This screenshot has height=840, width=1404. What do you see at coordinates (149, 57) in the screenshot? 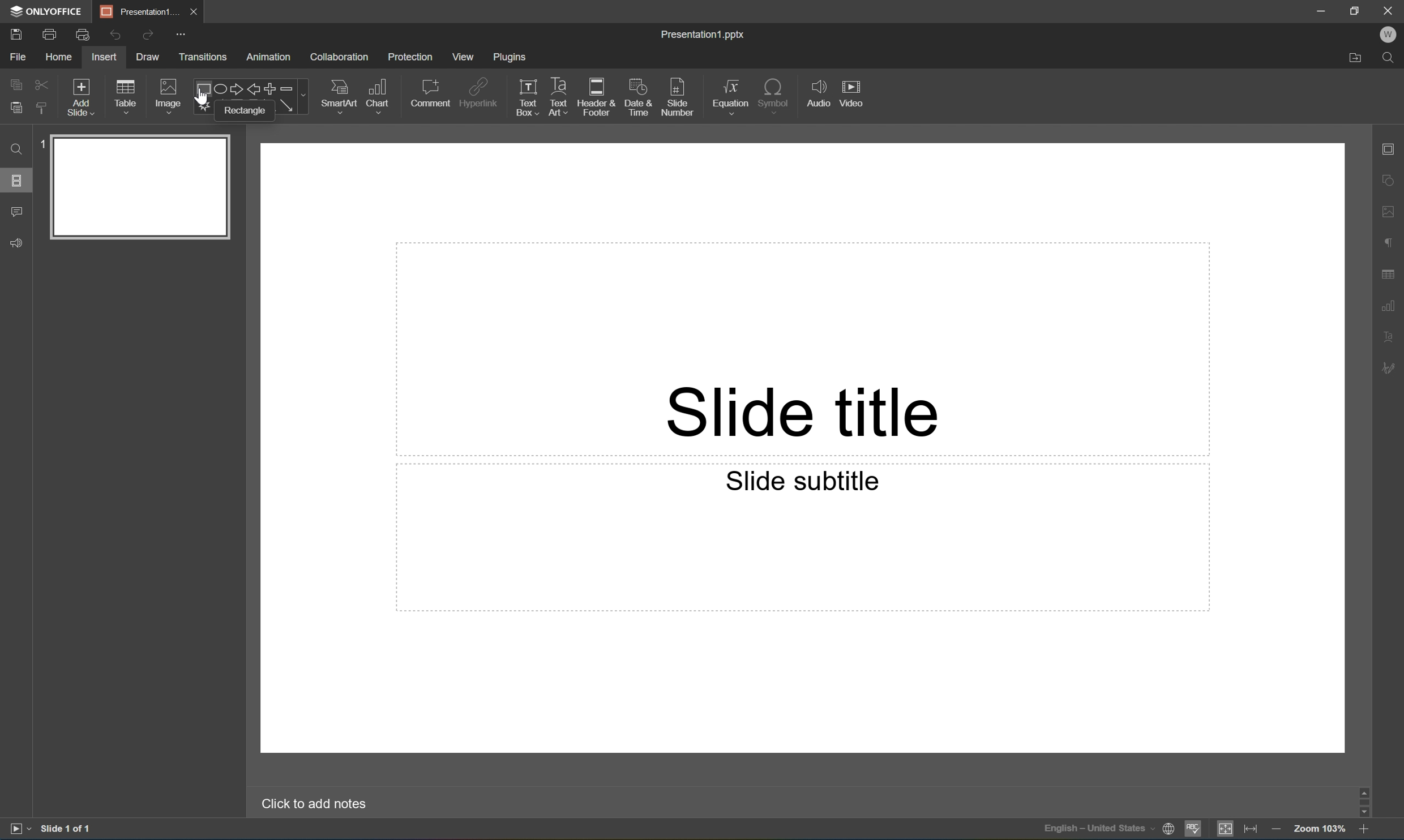
I see `Draw` at bounding box center [149, 57].